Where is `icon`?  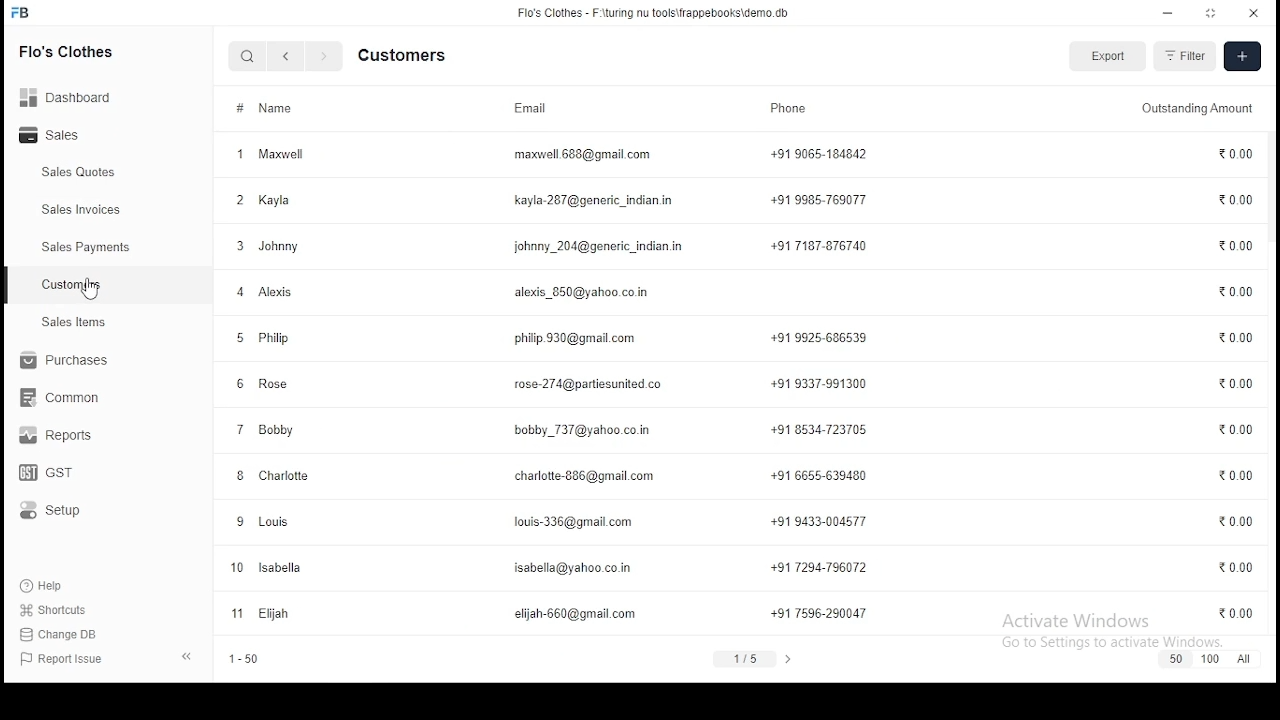
icon is located at coordinates (21, 13).